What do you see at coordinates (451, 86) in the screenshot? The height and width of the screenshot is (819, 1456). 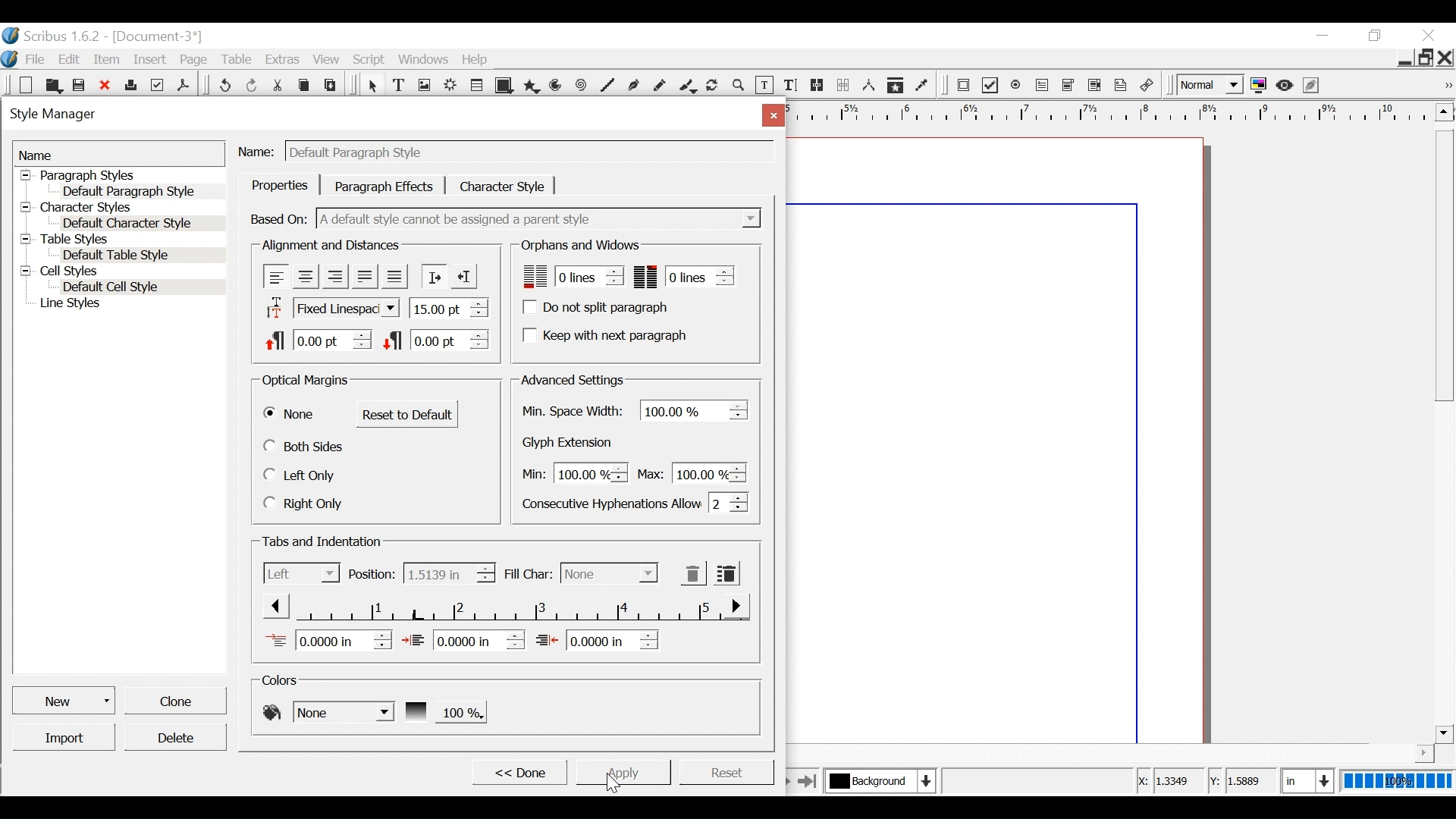 I see `Render frame` at bounding box center [451, 86].